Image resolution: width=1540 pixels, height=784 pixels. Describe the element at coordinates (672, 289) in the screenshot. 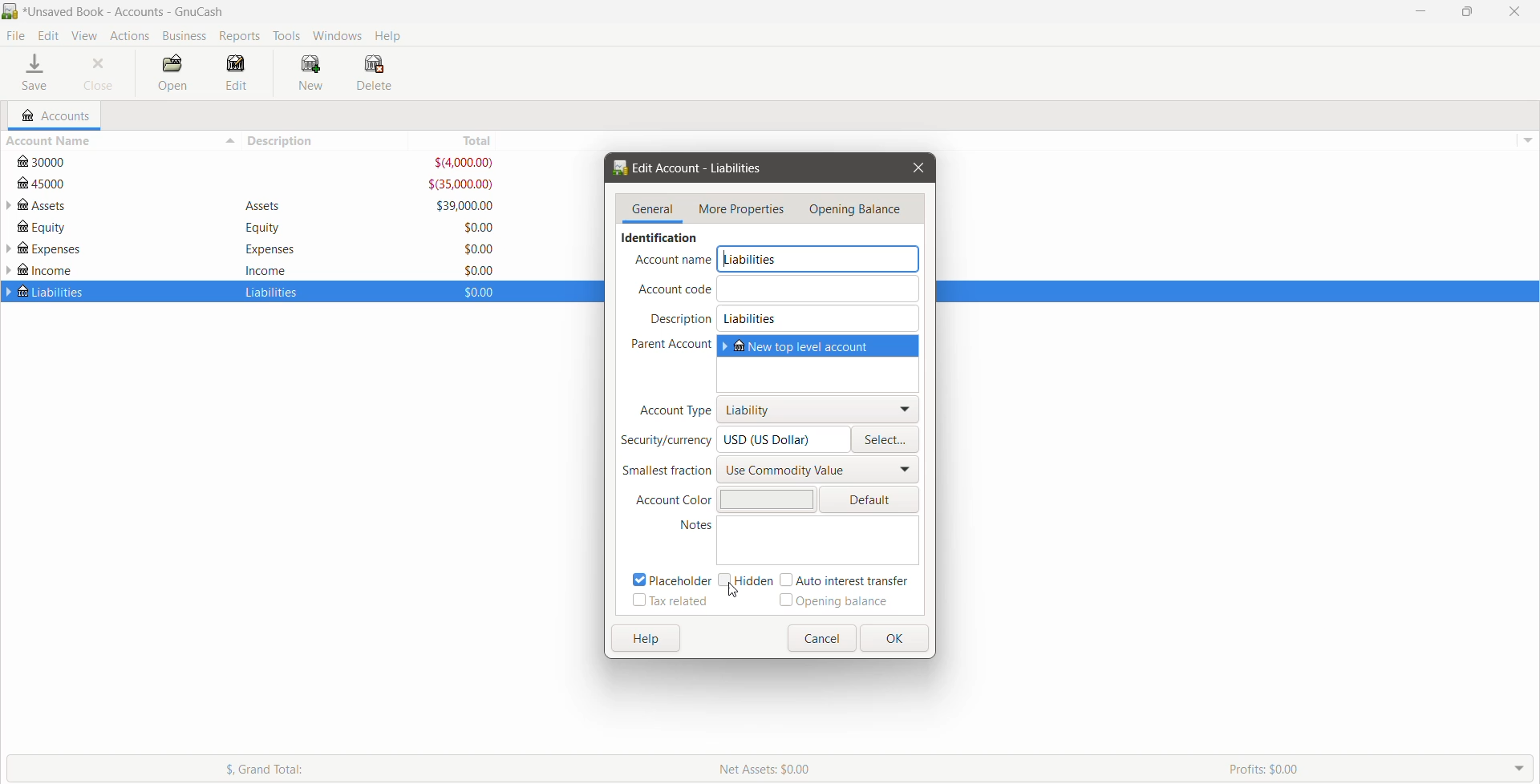

I see `Account code` at that location.